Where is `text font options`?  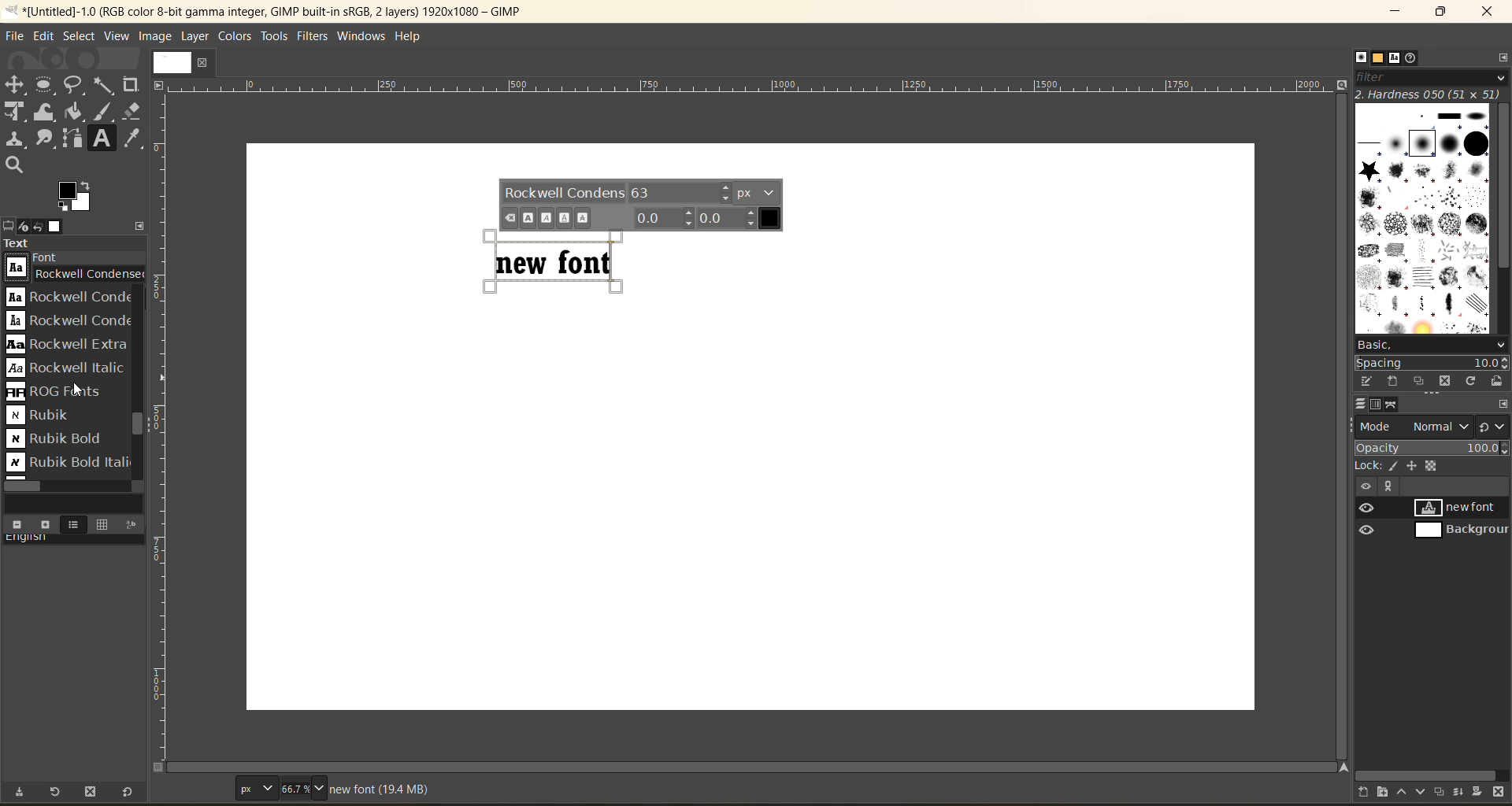 text font options is located at coordinates (643, 205).